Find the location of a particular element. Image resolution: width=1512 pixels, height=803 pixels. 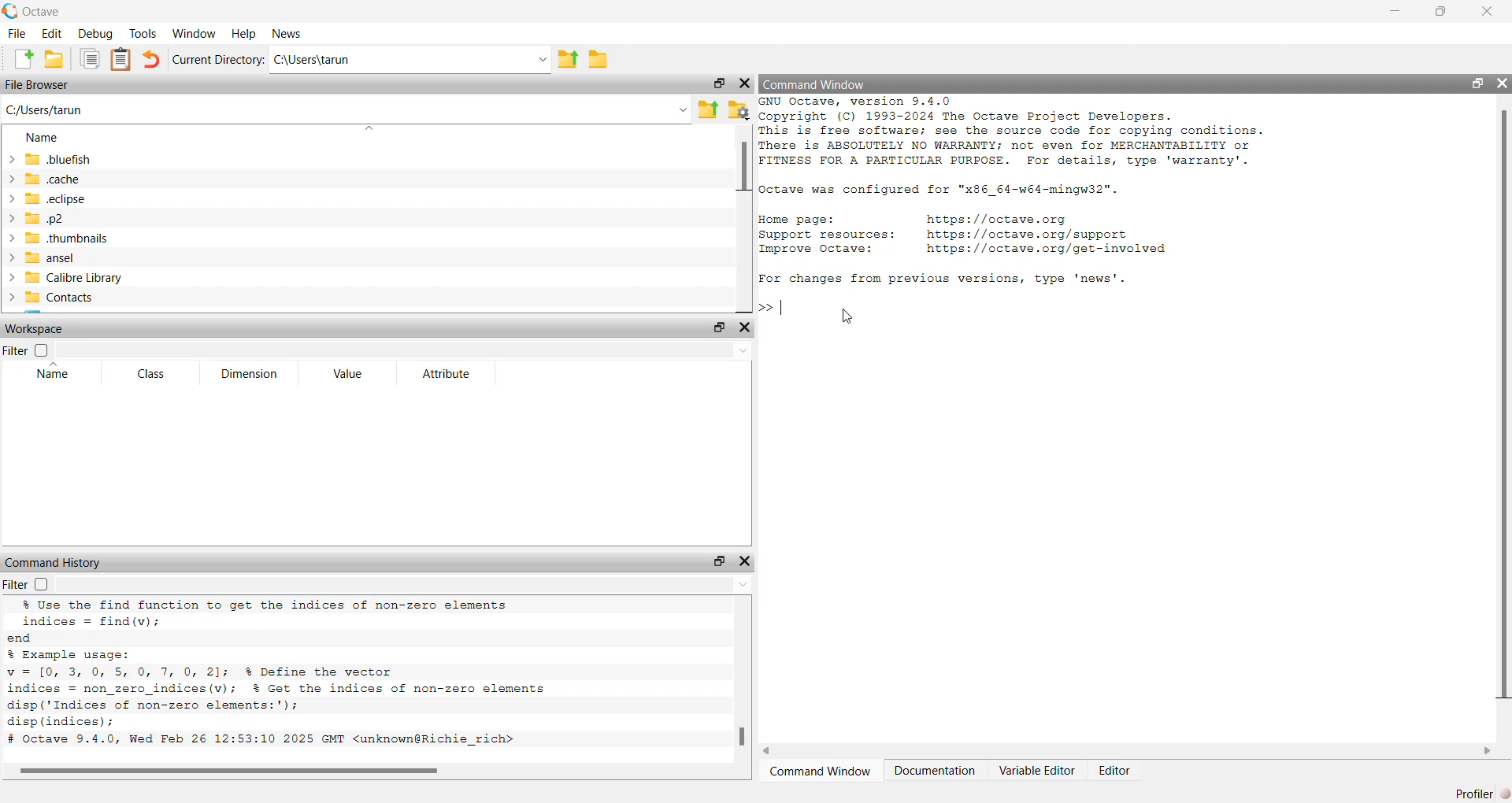

Workspace is located at coordinates (35, 327).